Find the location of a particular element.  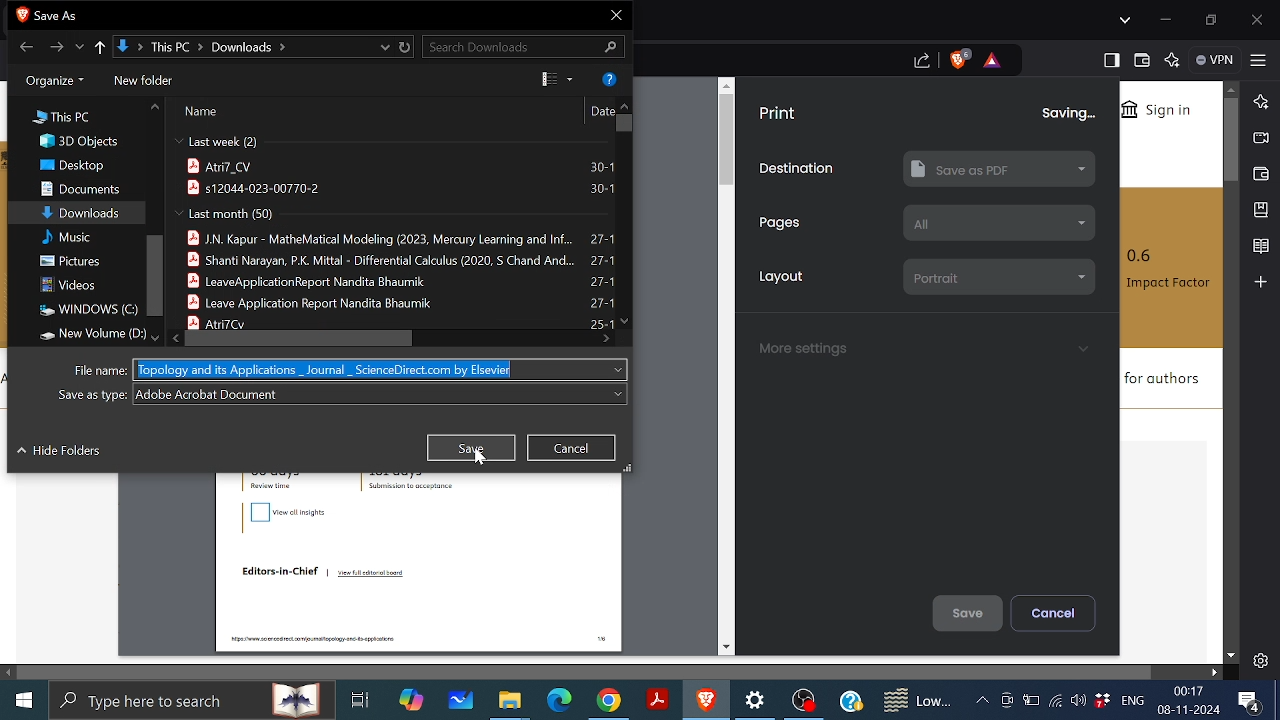

Leo AI is located at coordinates (1172, 60).